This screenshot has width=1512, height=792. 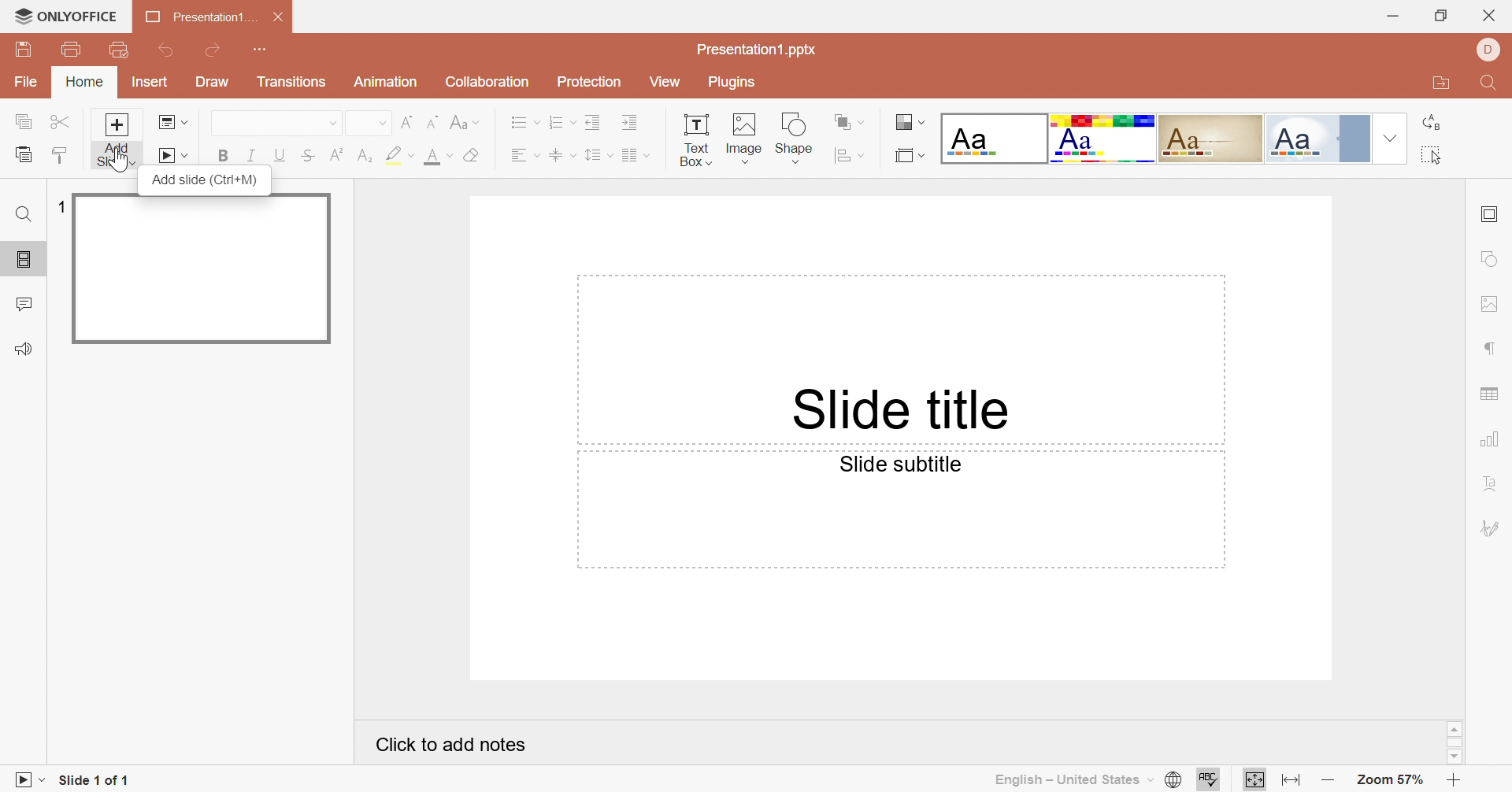 I want to click on Highlight color, so click(x=400, y=154).